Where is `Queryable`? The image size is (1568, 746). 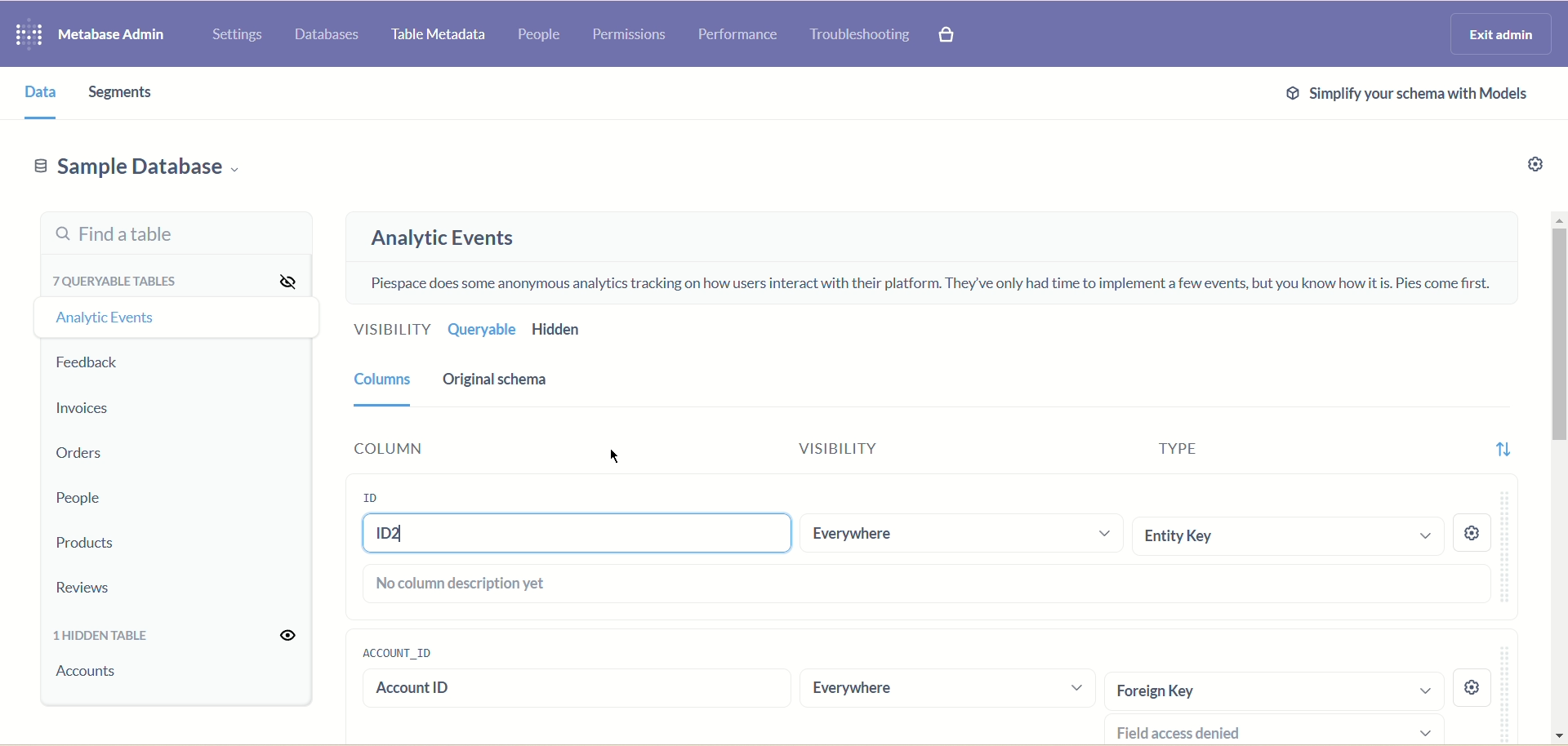
Queryable is located at coordinates (483, 331).